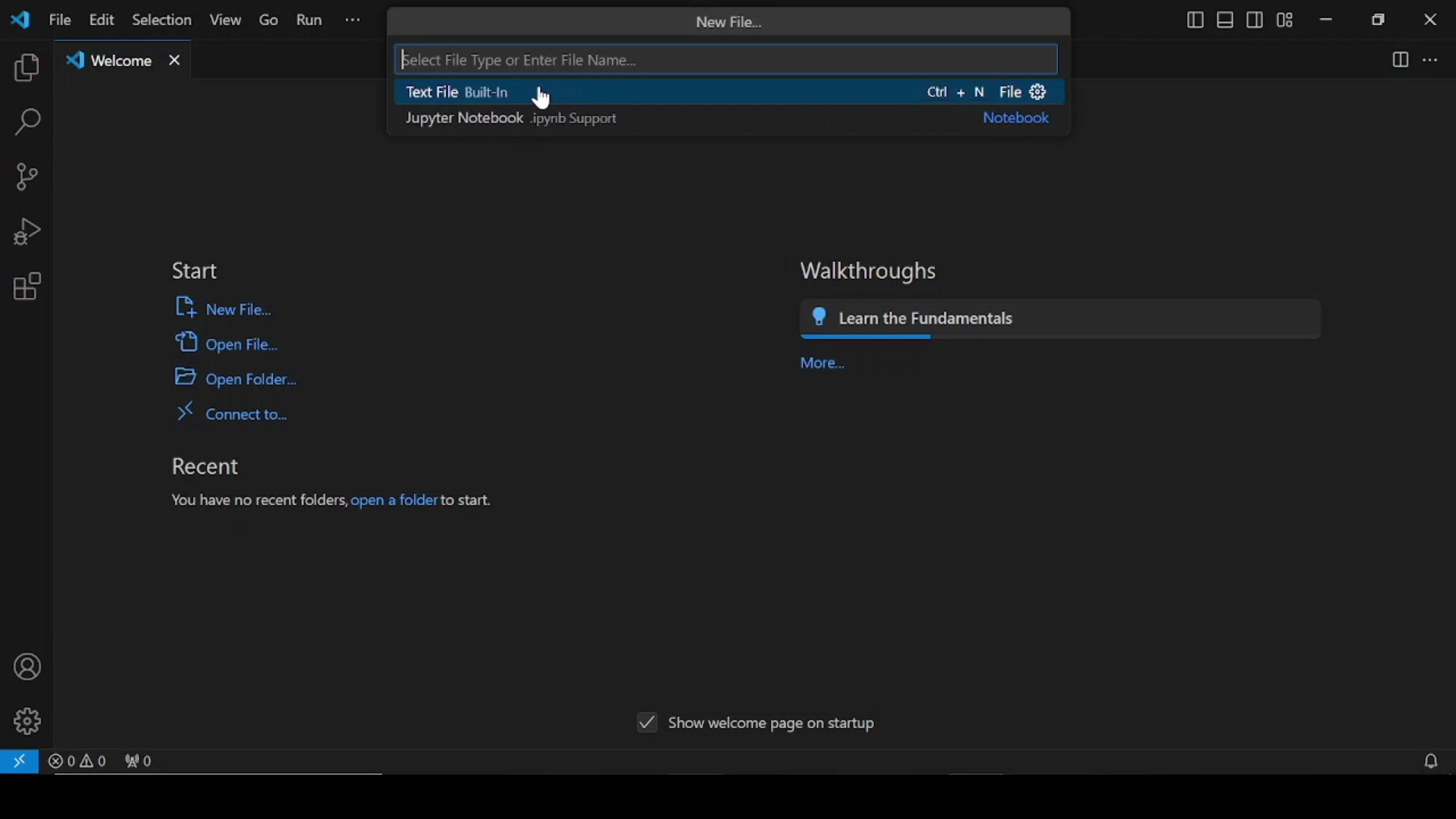 This screenshot has width=1456, height=819. Describe the element at coordinates (234, 377) in the screenshot. I see `open folder` at that location.